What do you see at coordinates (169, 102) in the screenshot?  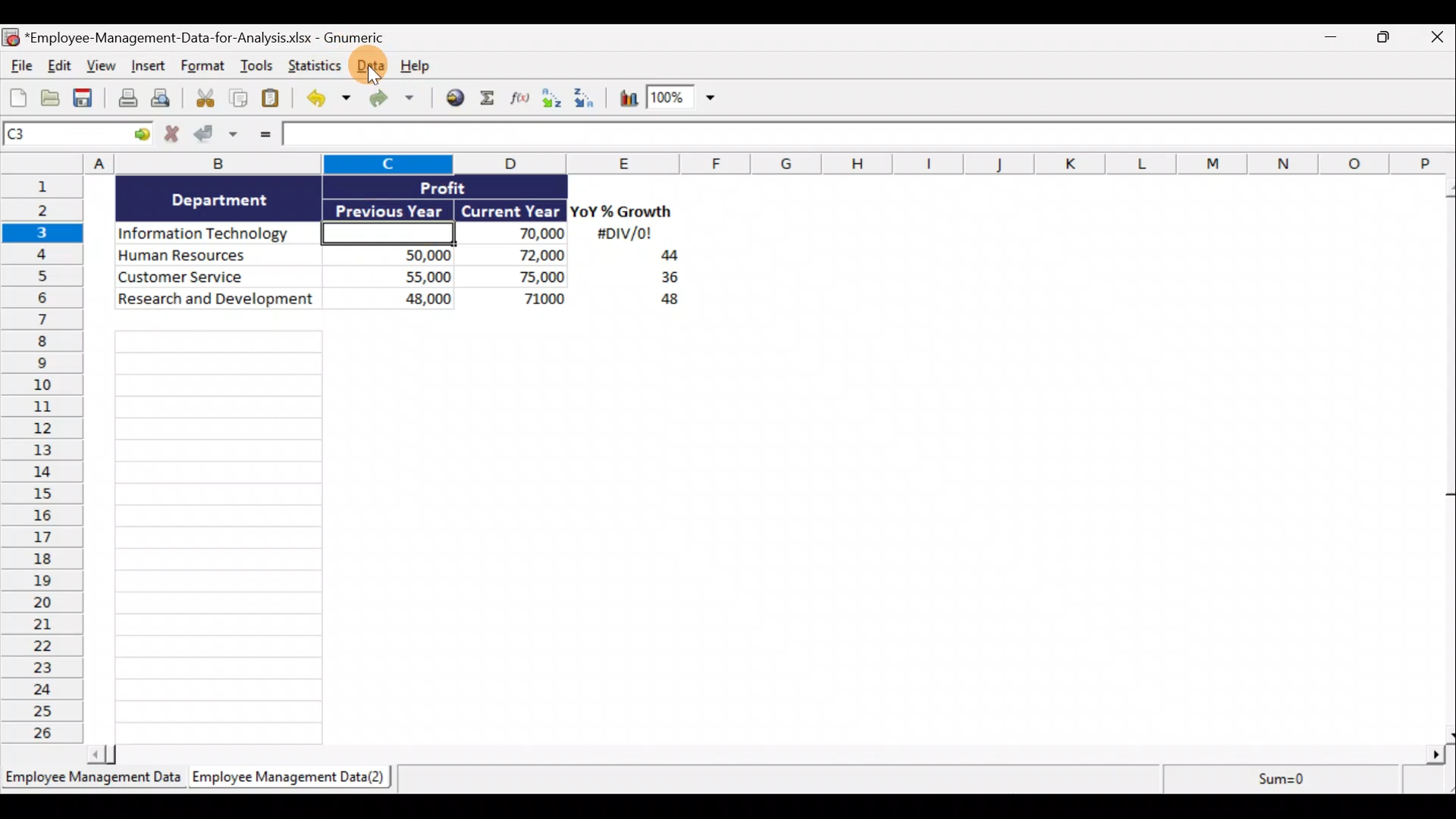 I see `Print preview` at bounding box center [169, 102].